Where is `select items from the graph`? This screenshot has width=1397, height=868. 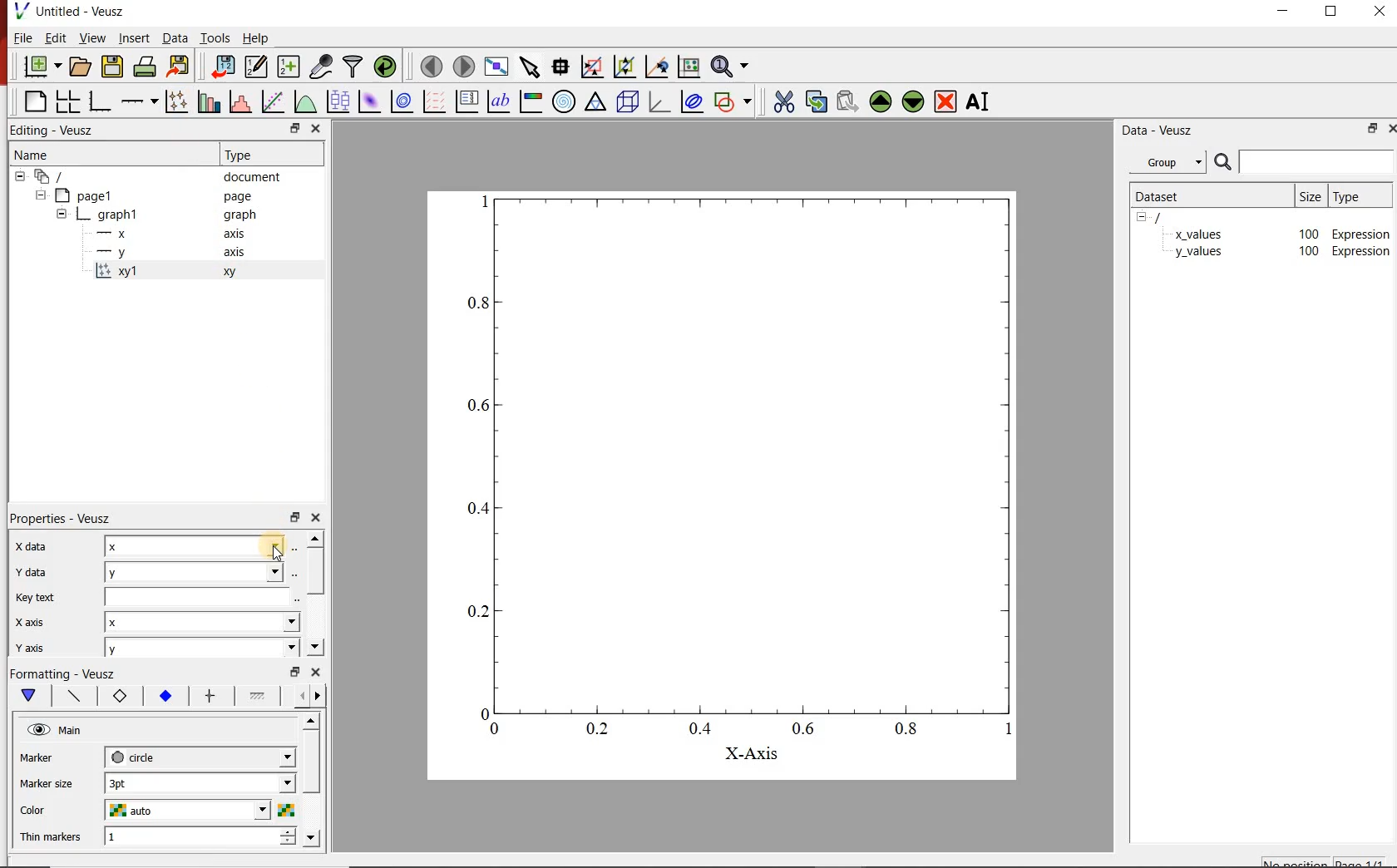 select items from the graph is located at coordinates (531, 67).